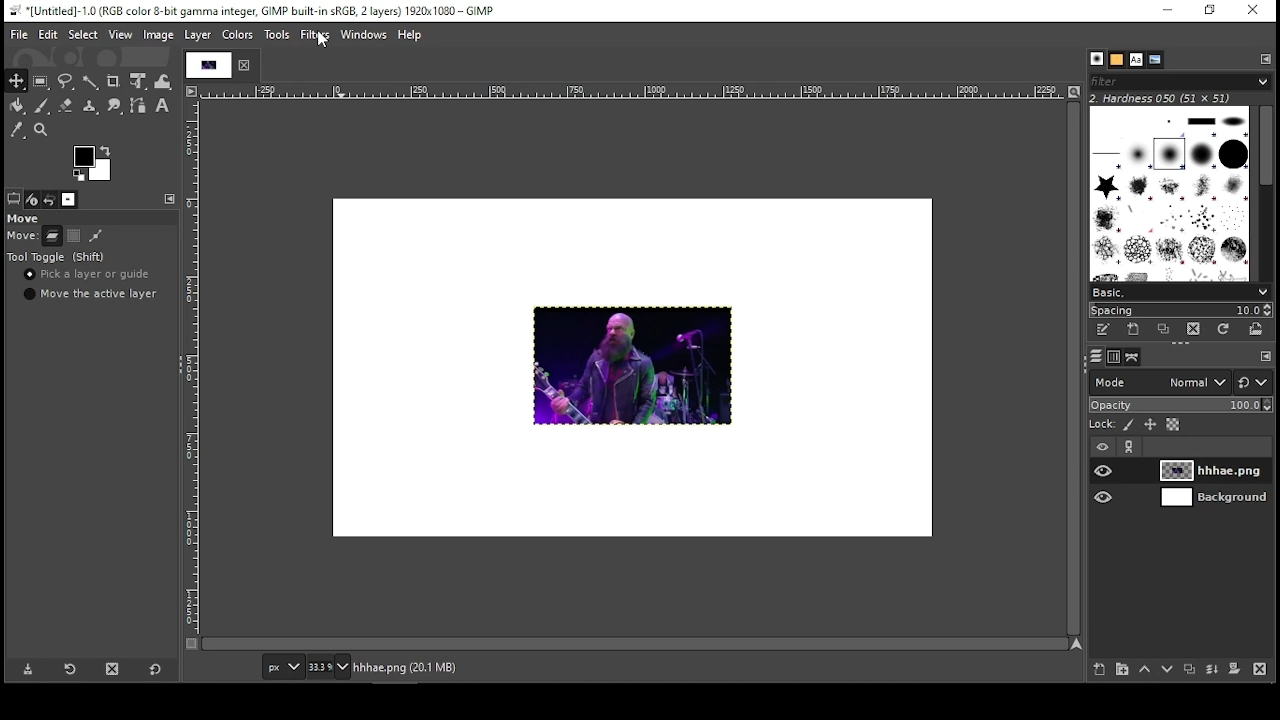 Image resolution: width=1280 pixels, height=720 pixels. Describe the element at coordinates (160, 34) in the screenshot. I see `image` at that location.